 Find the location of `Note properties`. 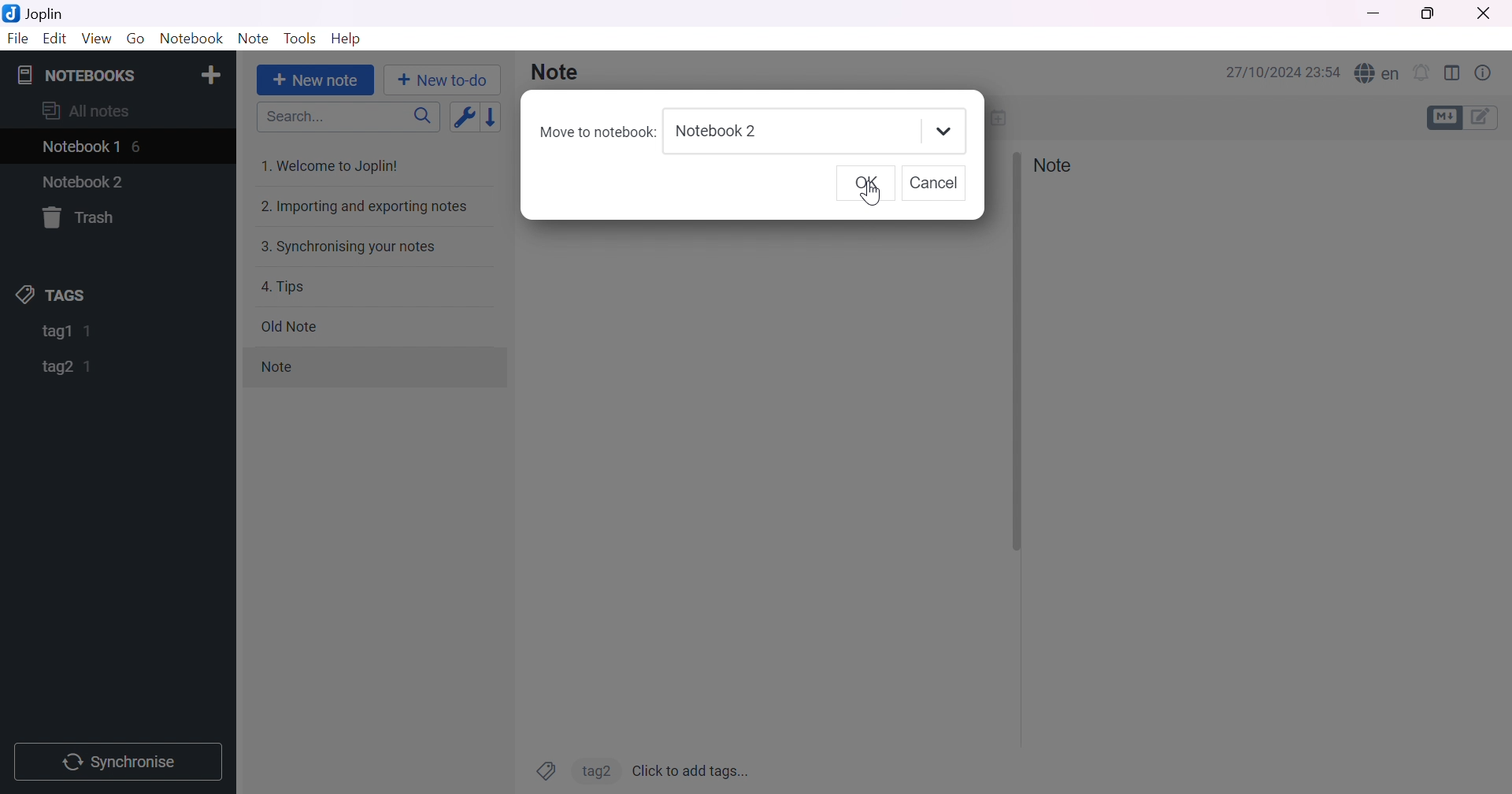

Note properties is located at coordinates (1488, 72).